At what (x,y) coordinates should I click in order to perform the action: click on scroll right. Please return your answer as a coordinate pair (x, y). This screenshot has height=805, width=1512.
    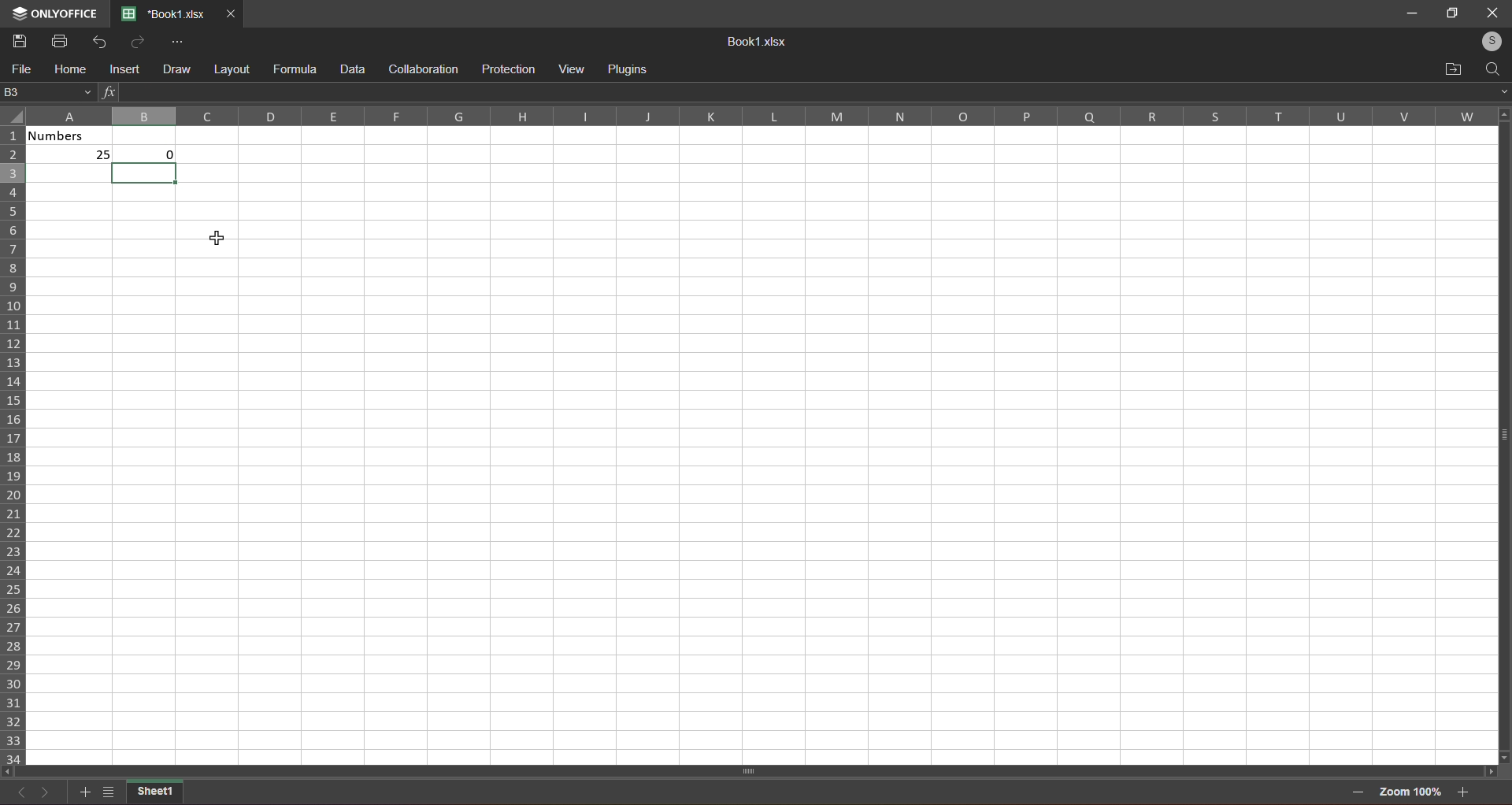
    Looking at the image, I should click on (1487, 773).